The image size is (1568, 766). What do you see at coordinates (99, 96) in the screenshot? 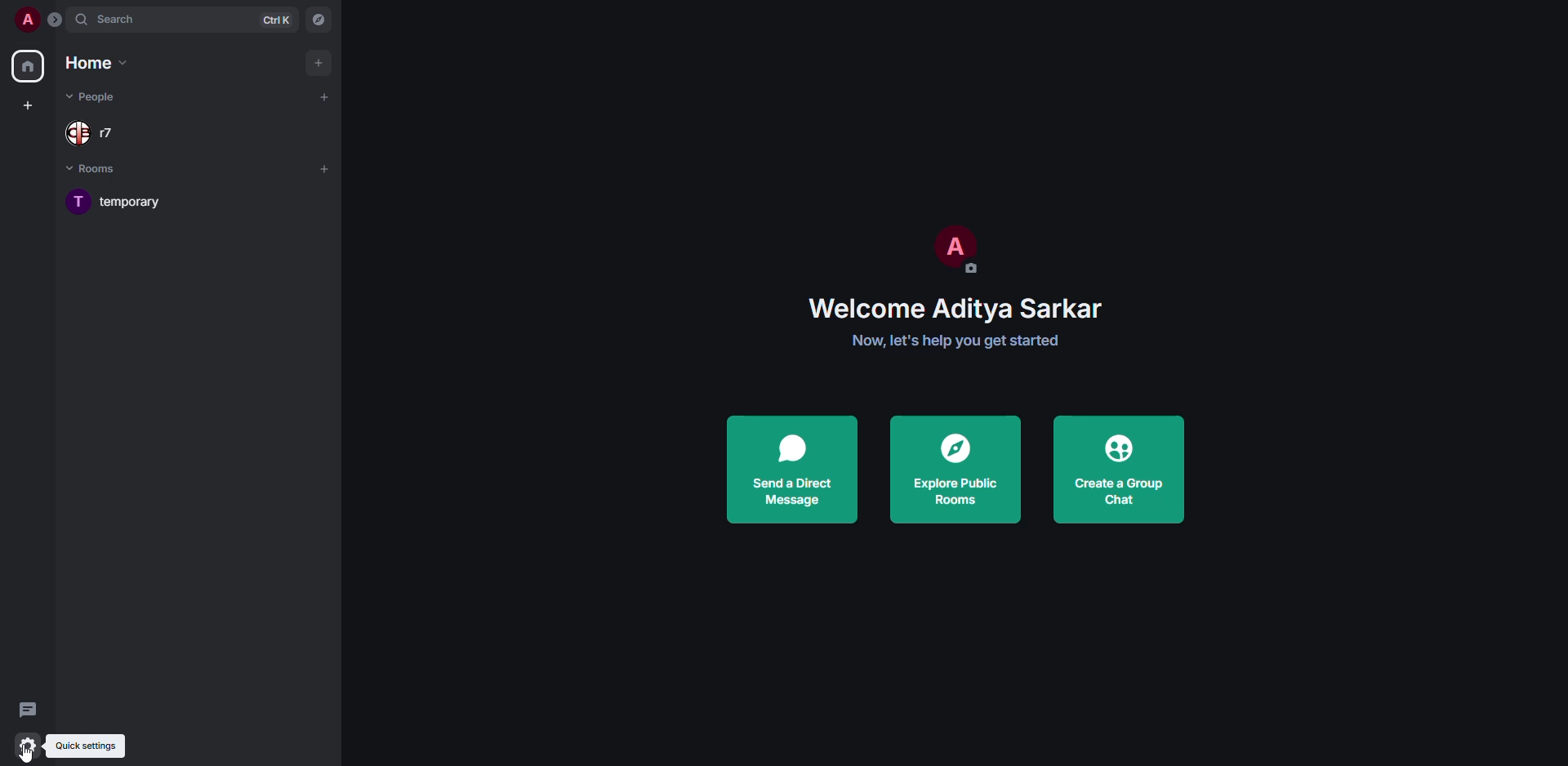
I see `people` at bounding box center [99, 96].